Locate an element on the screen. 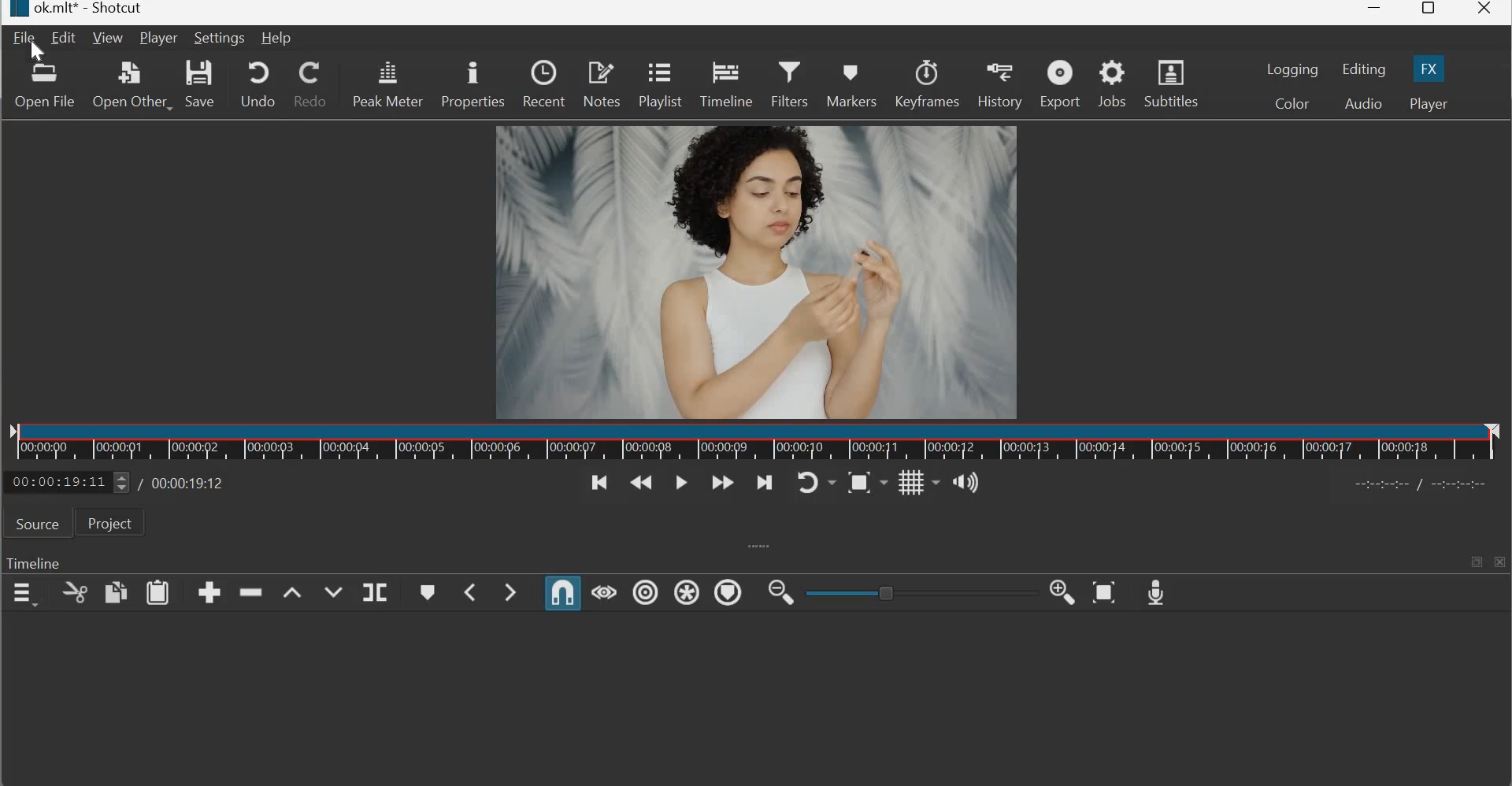  Settings is located at coordinates (219, 38).